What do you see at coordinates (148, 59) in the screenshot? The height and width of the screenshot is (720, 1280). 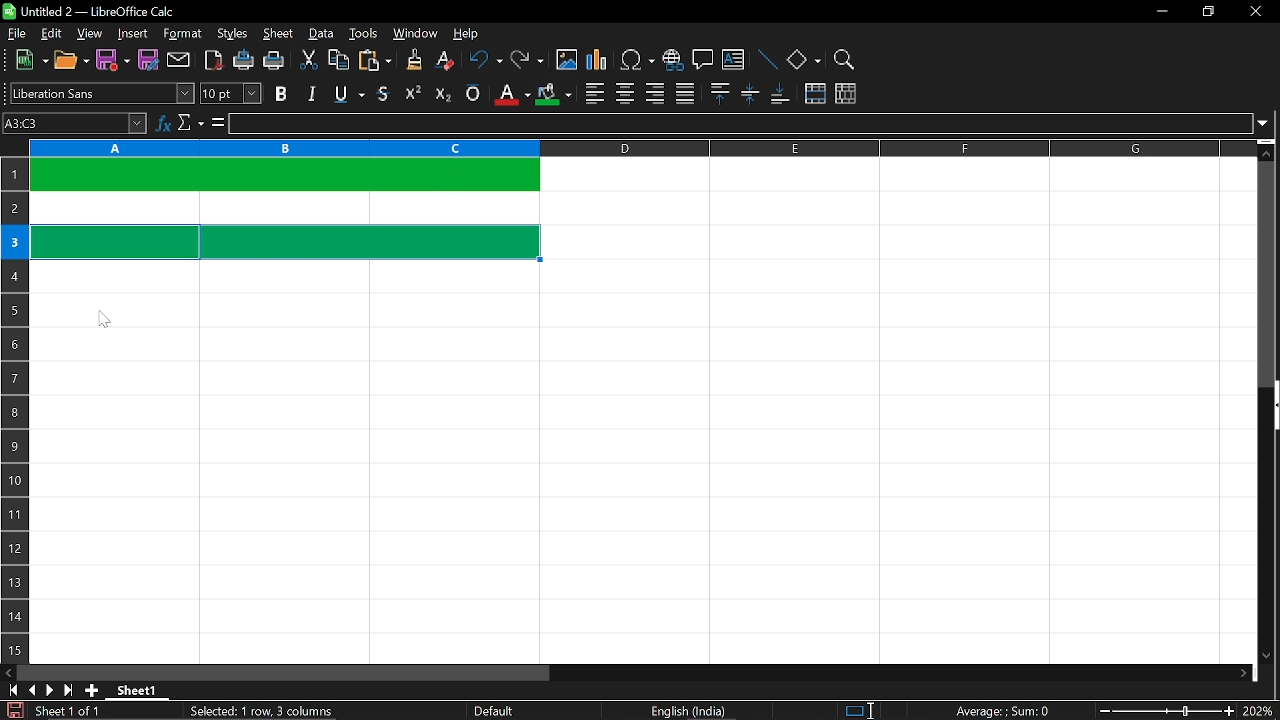 I see `save as` at bounding box center [148, 59].